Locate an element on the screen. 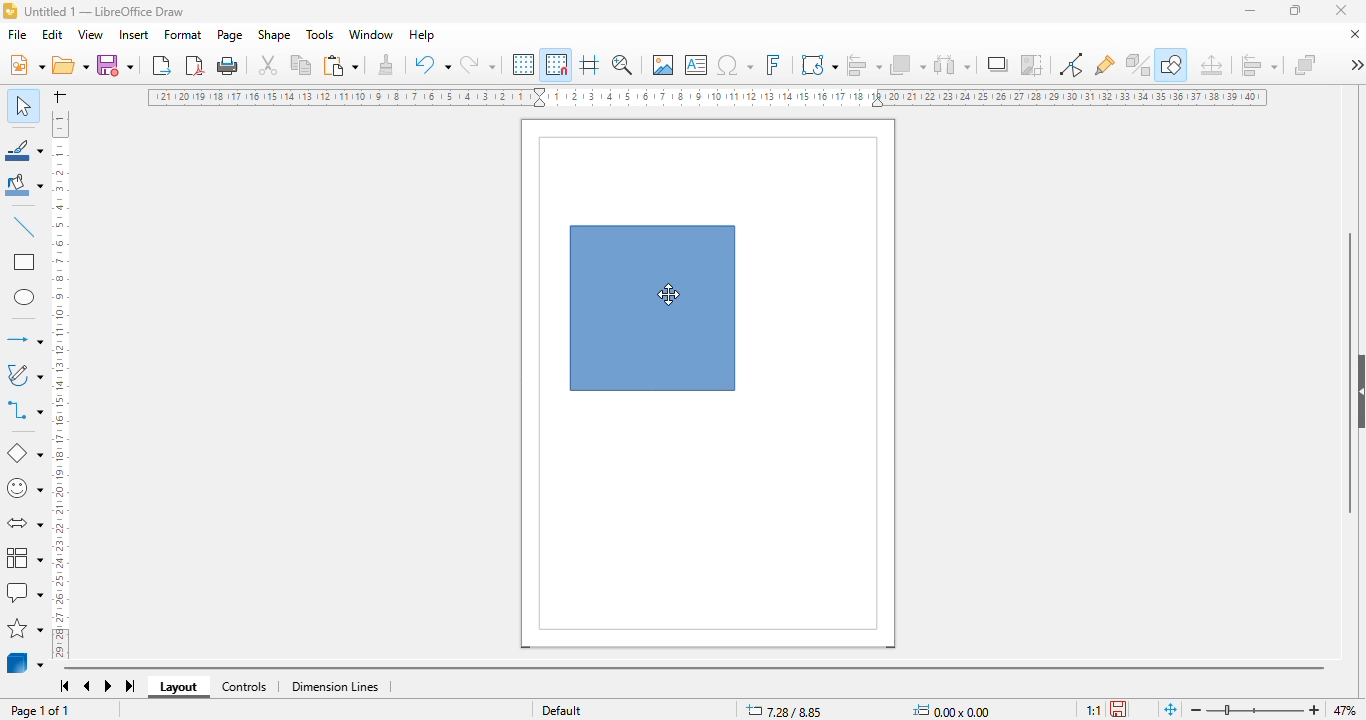 The height and width of the screenshot is (720, 1366). show draw functions is located at coordinates (1171, 65).